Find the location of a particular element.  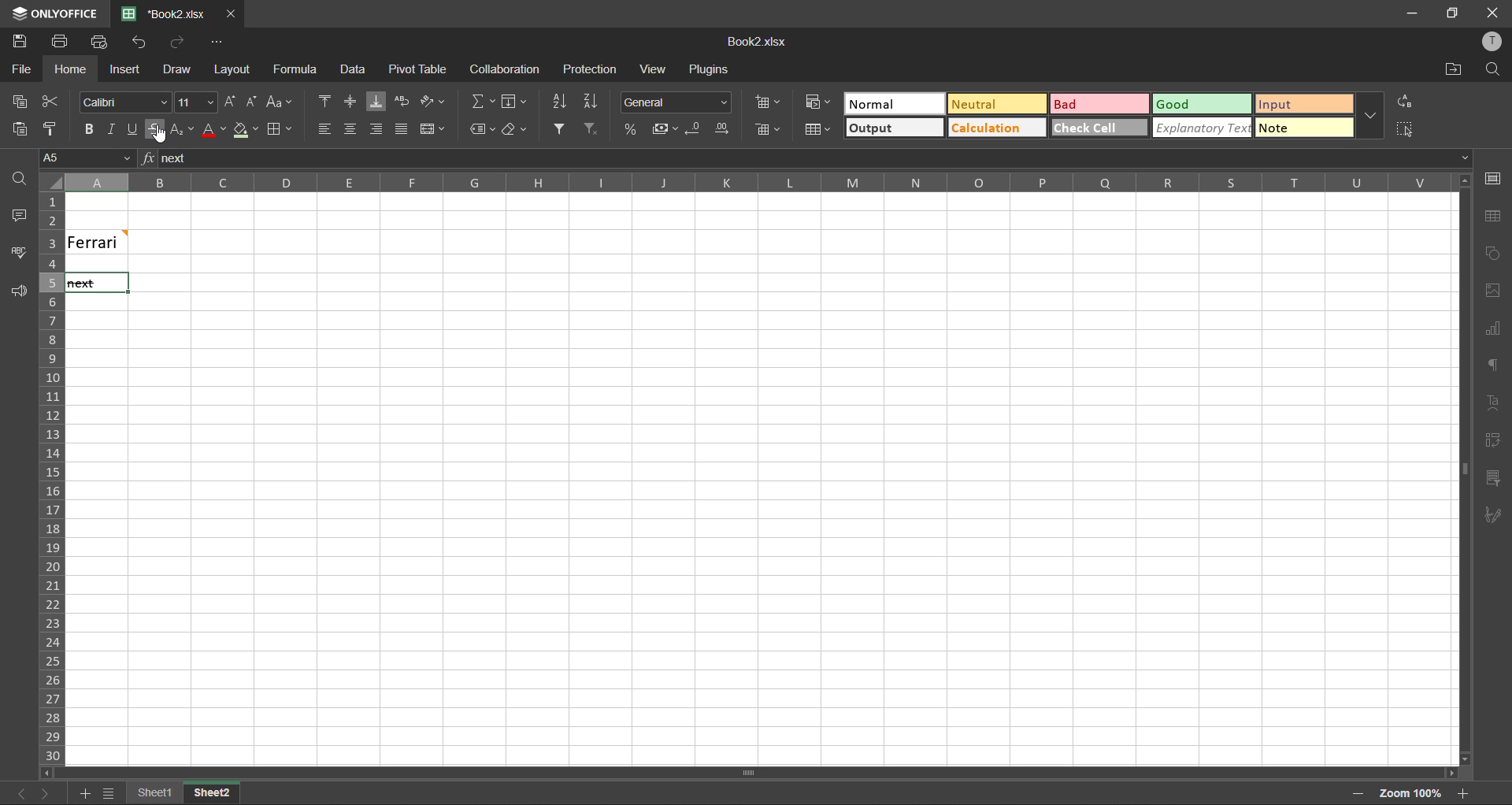

customize quick access toolbar is located at coordinates (223, 43).